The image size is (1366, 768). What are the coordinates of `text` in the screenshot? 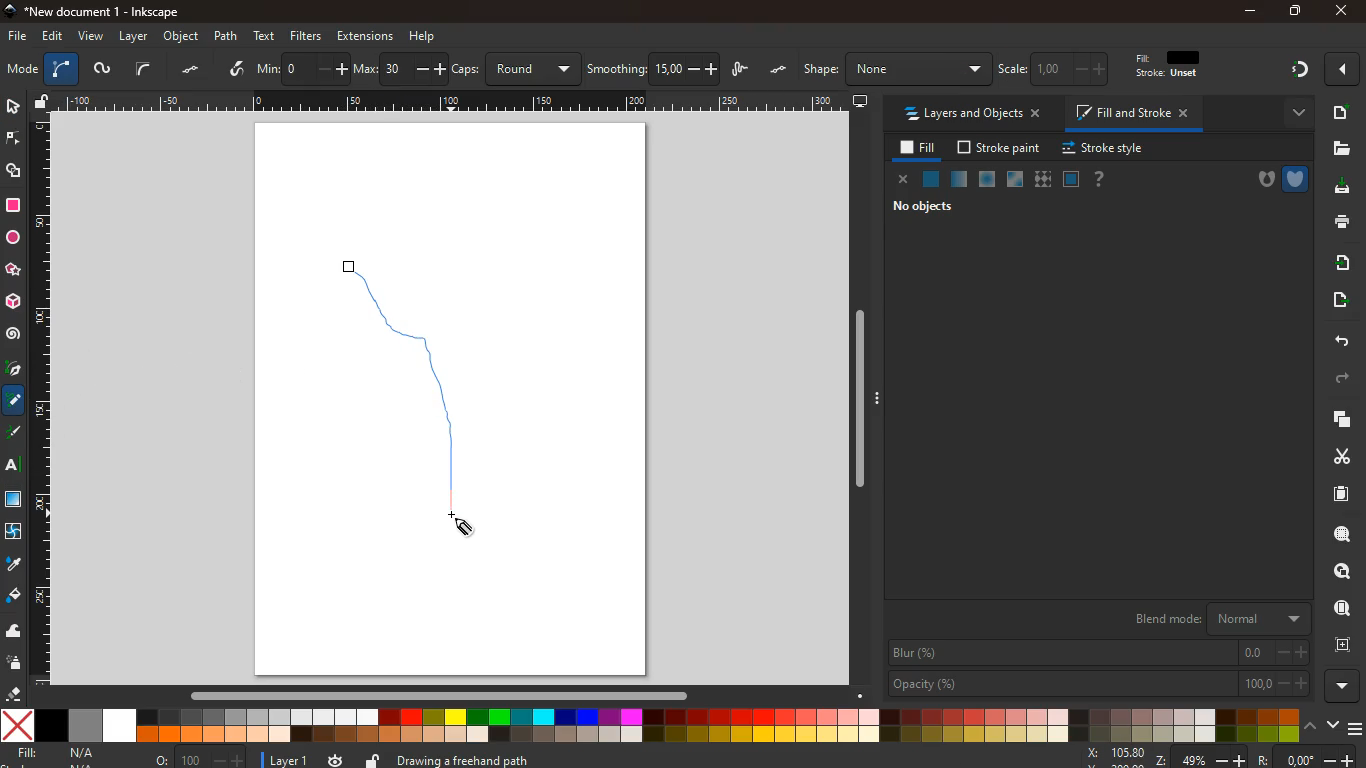 It's located at (266, 36).